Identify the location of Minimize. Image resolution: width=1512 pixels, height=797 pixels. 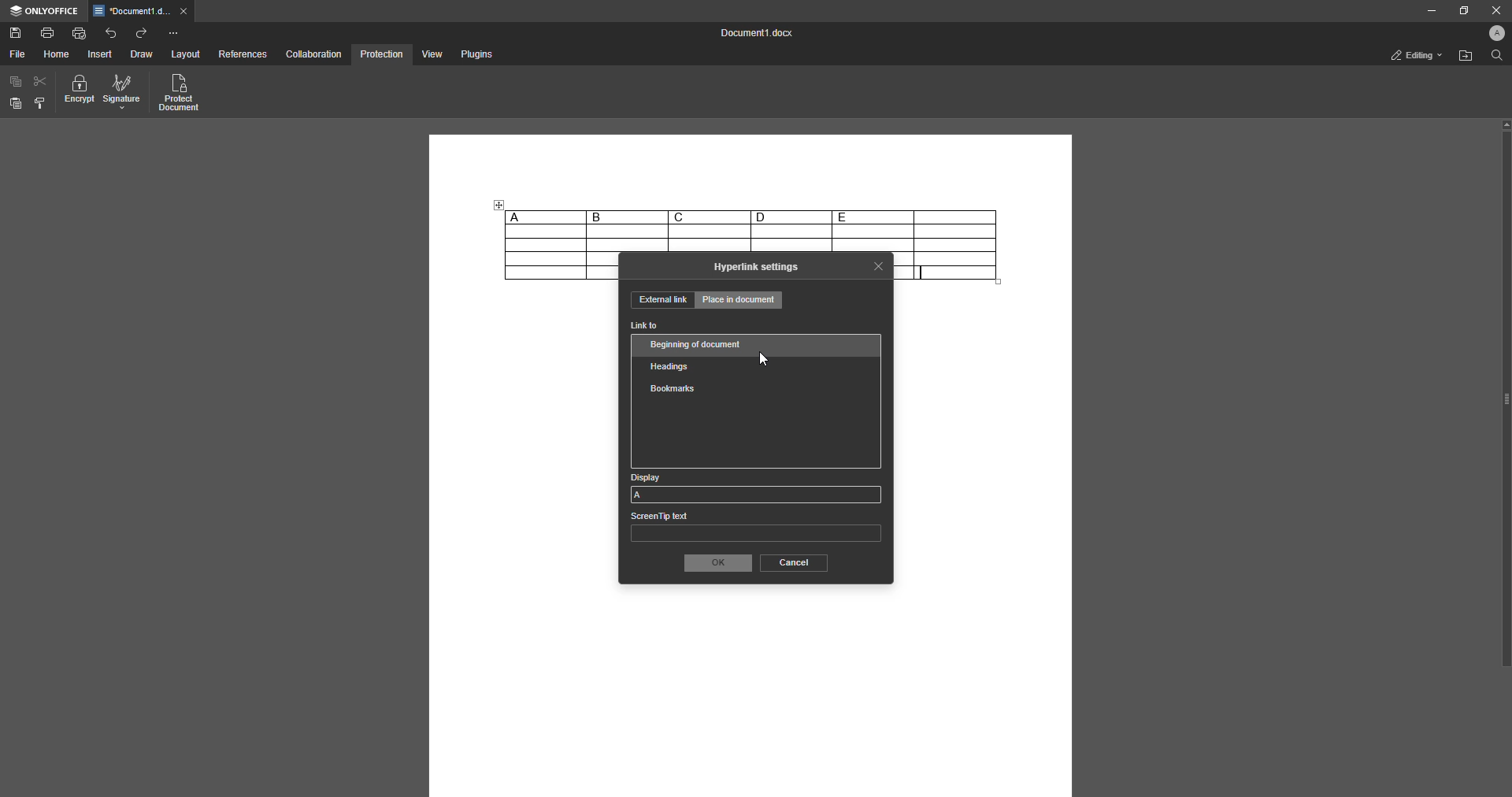
(1426, 11).